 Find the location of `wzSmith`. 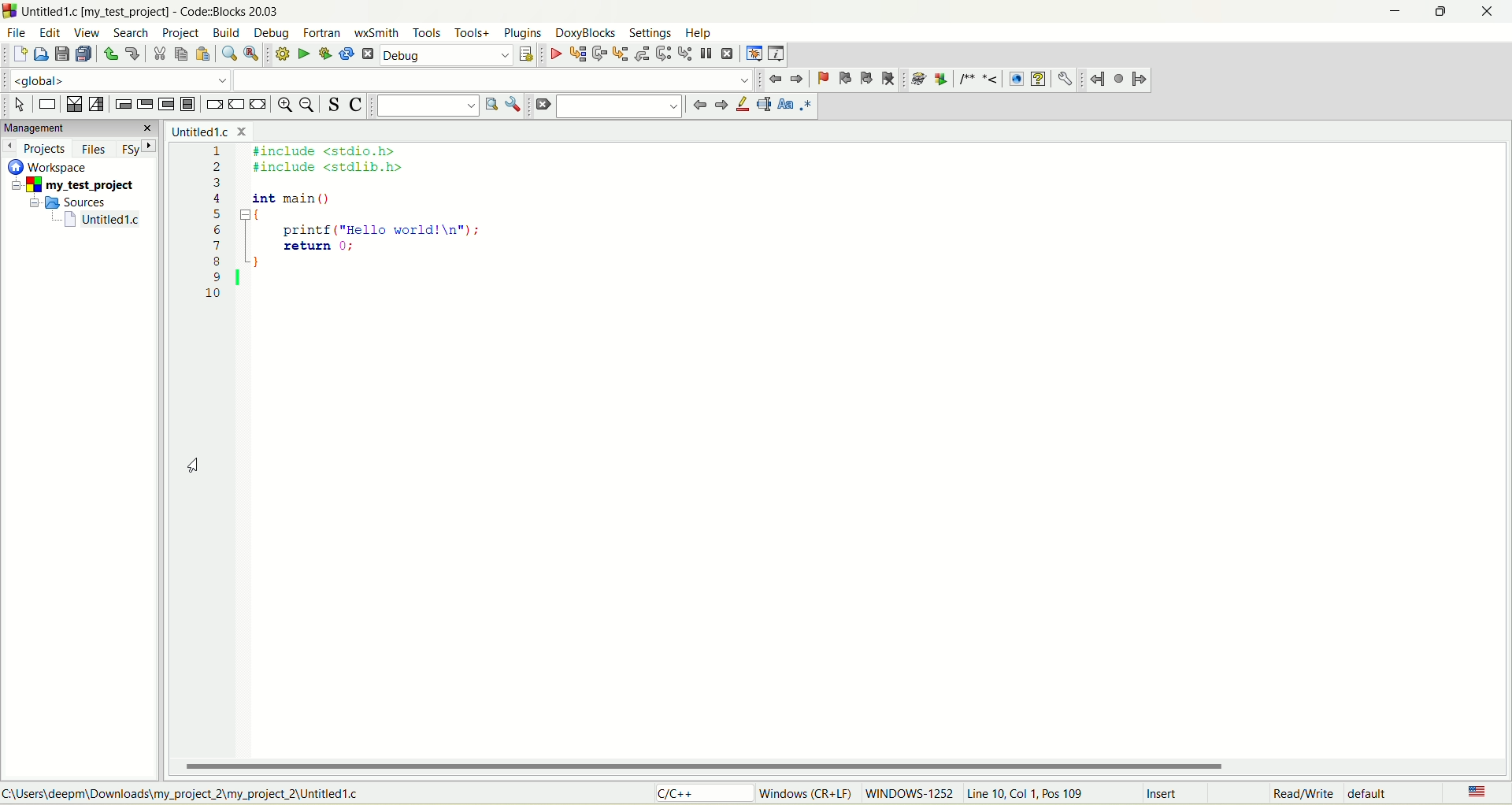

wzSmith is located at coordinates (377, 32).